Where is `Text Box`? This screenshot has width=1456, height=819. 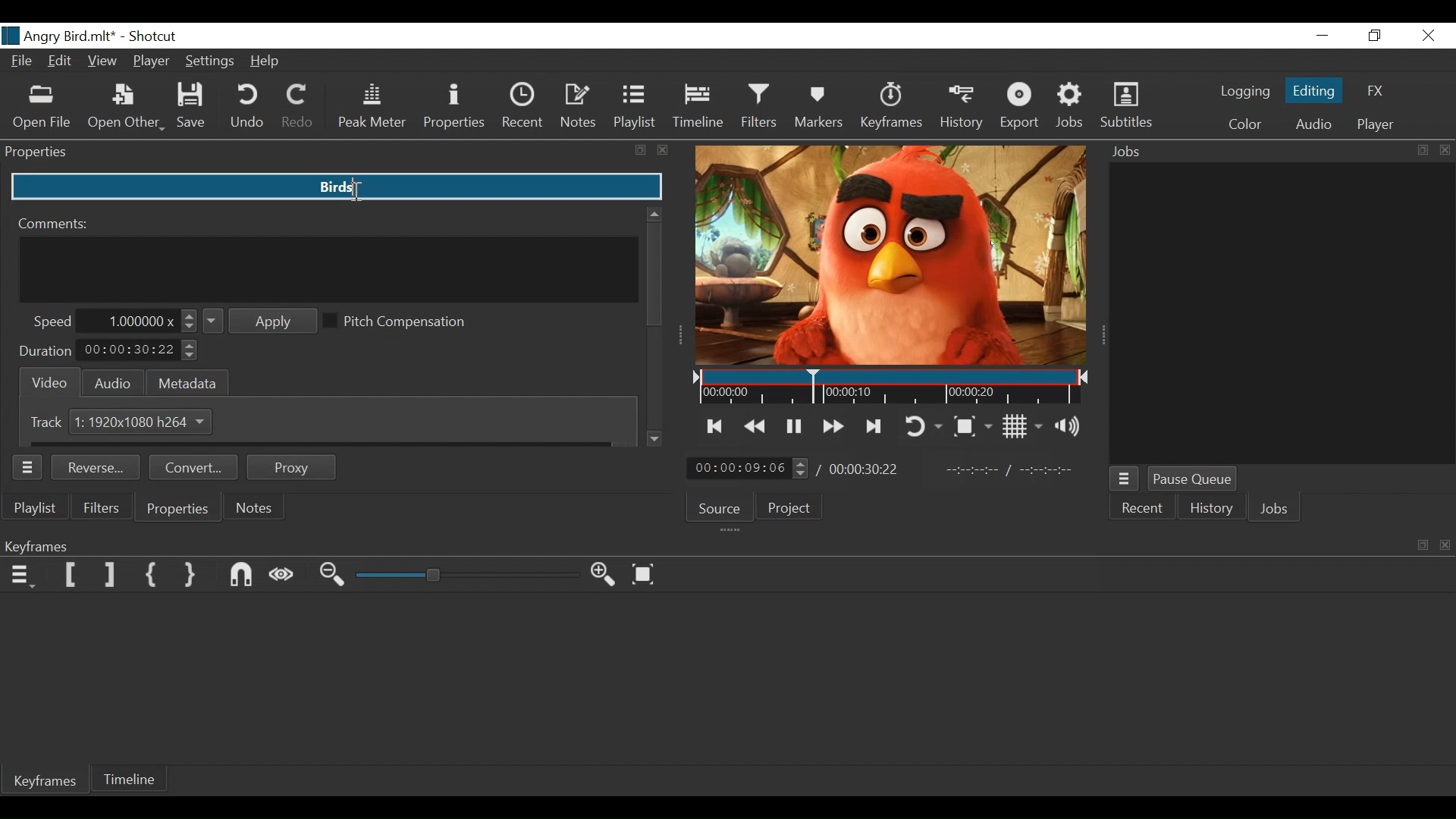
Text Box is located at coordinates (335, 188).